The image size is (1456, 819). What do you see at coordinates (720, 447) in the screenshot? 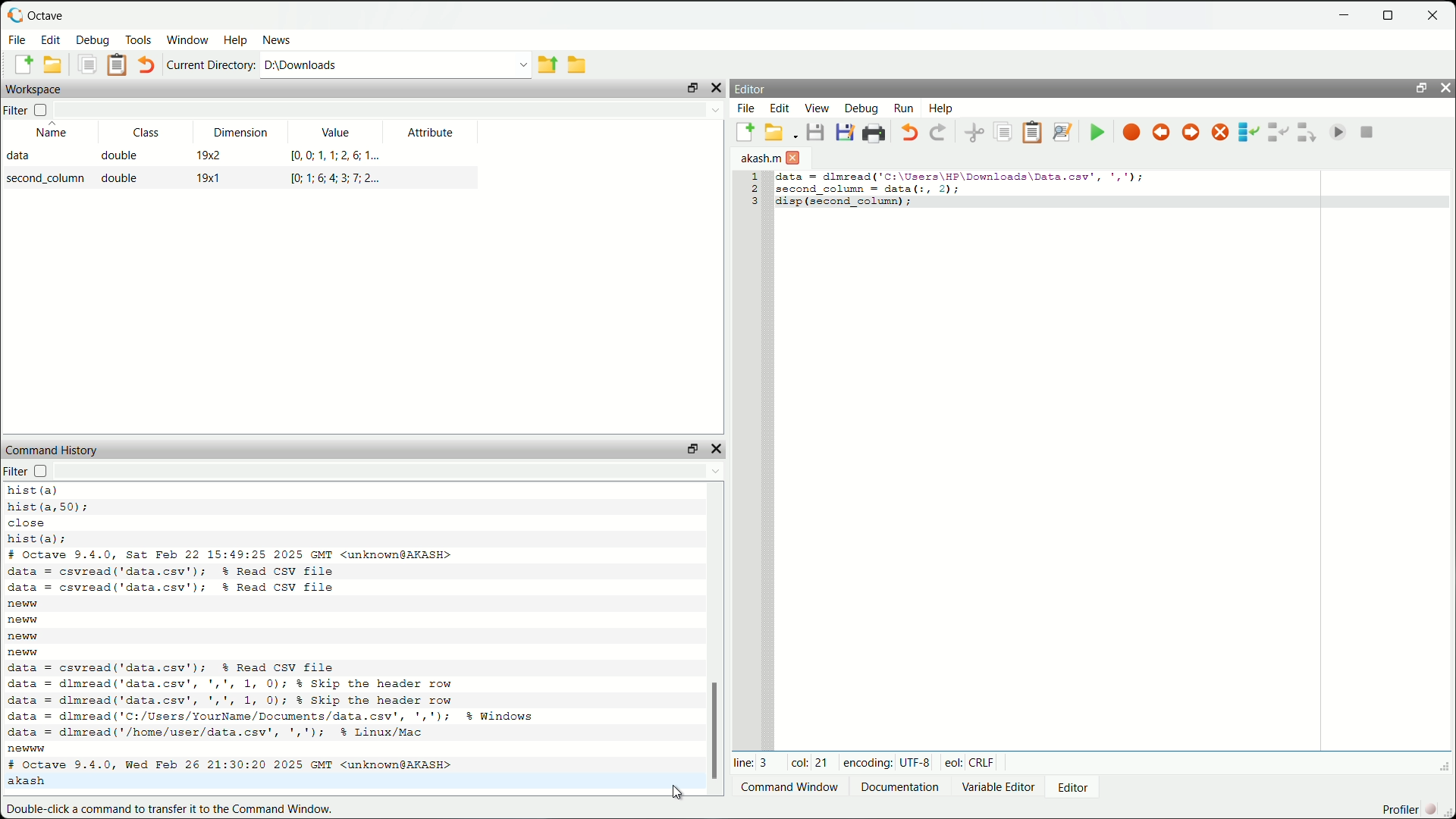
I see `hide widget` at bounding box center [720, 447].